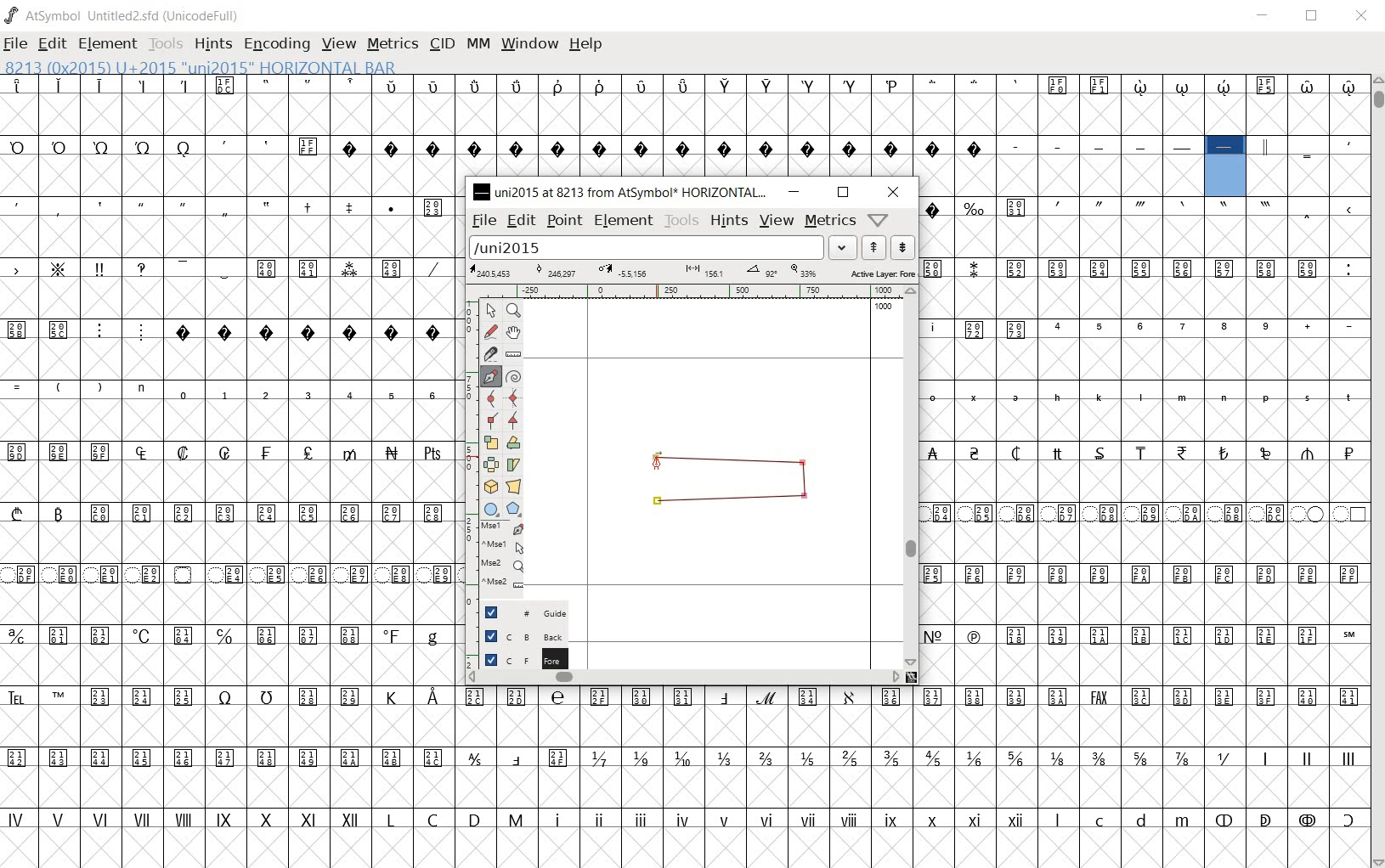 The image size is (1385, 868). Describe the element at coordinates (795, 193) in the screenshot. I see `minimize` at that location.